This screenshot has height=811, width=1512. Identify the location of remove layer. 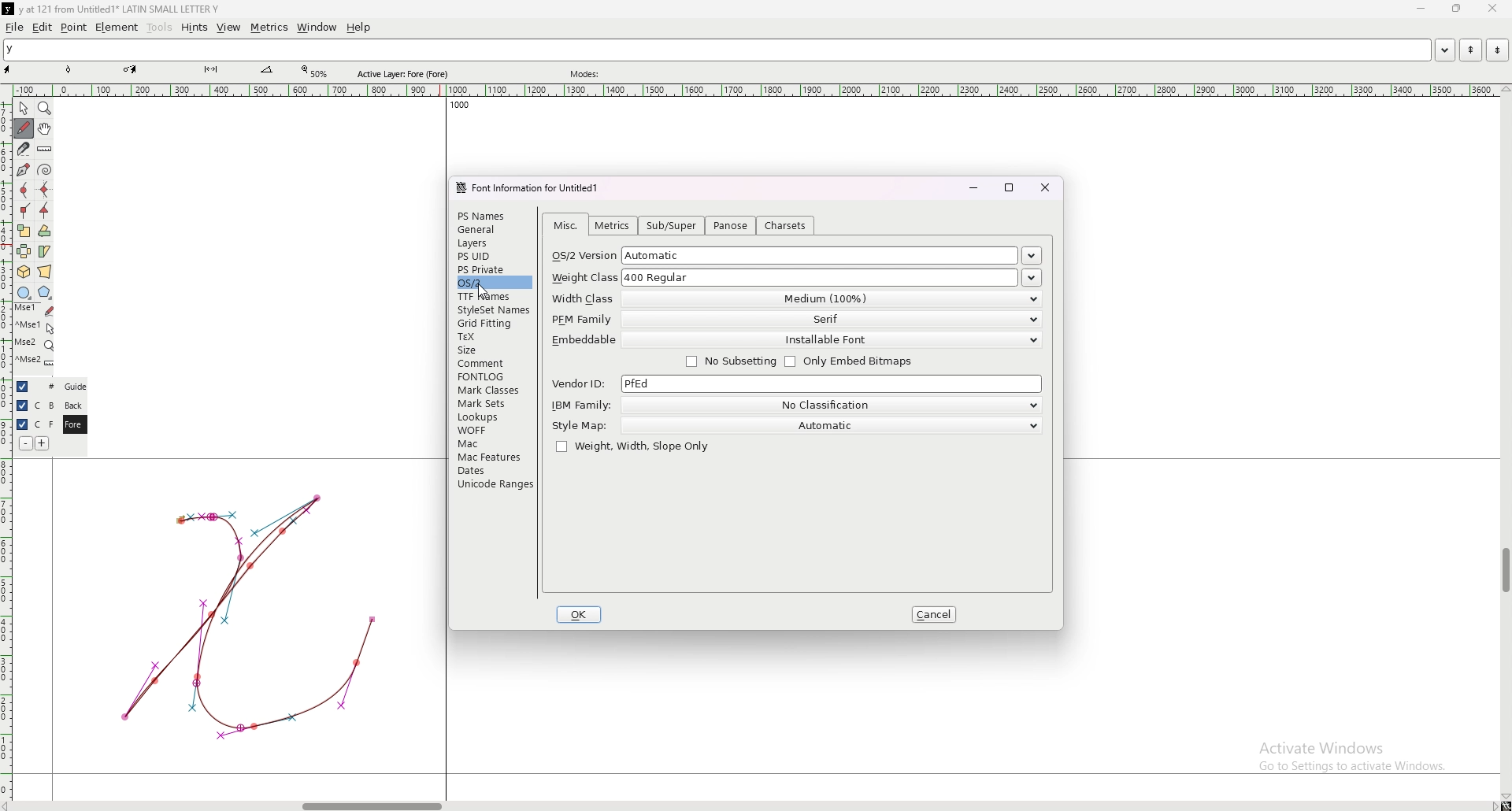
(25, 443).